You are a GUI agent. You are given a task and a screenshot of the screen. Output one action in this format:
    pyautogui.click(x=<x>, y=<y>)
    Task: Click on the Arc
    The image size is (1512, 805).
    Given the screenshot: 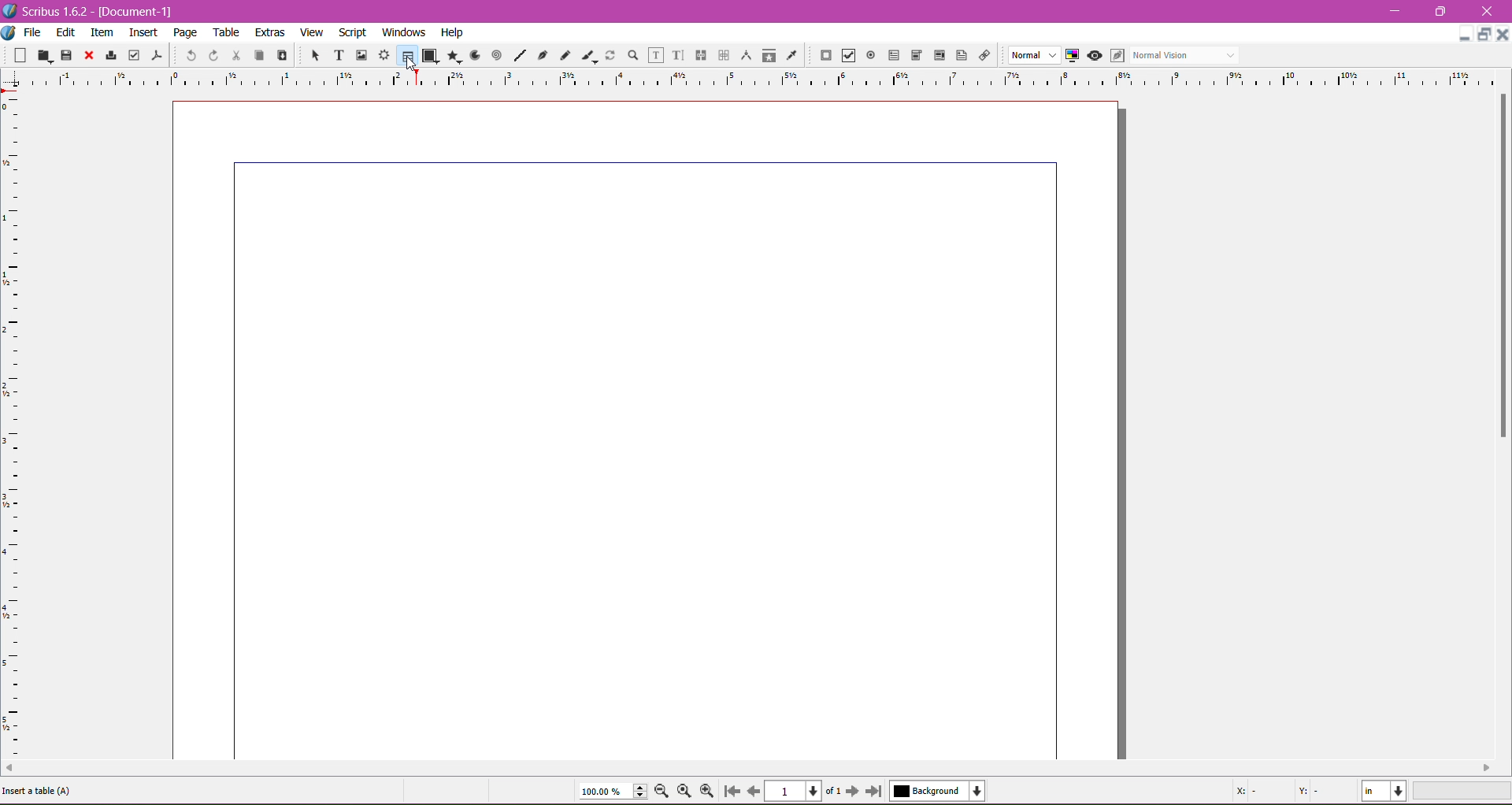 What is the action you would take?
    pyautogui.click(x=473, y=54)
    